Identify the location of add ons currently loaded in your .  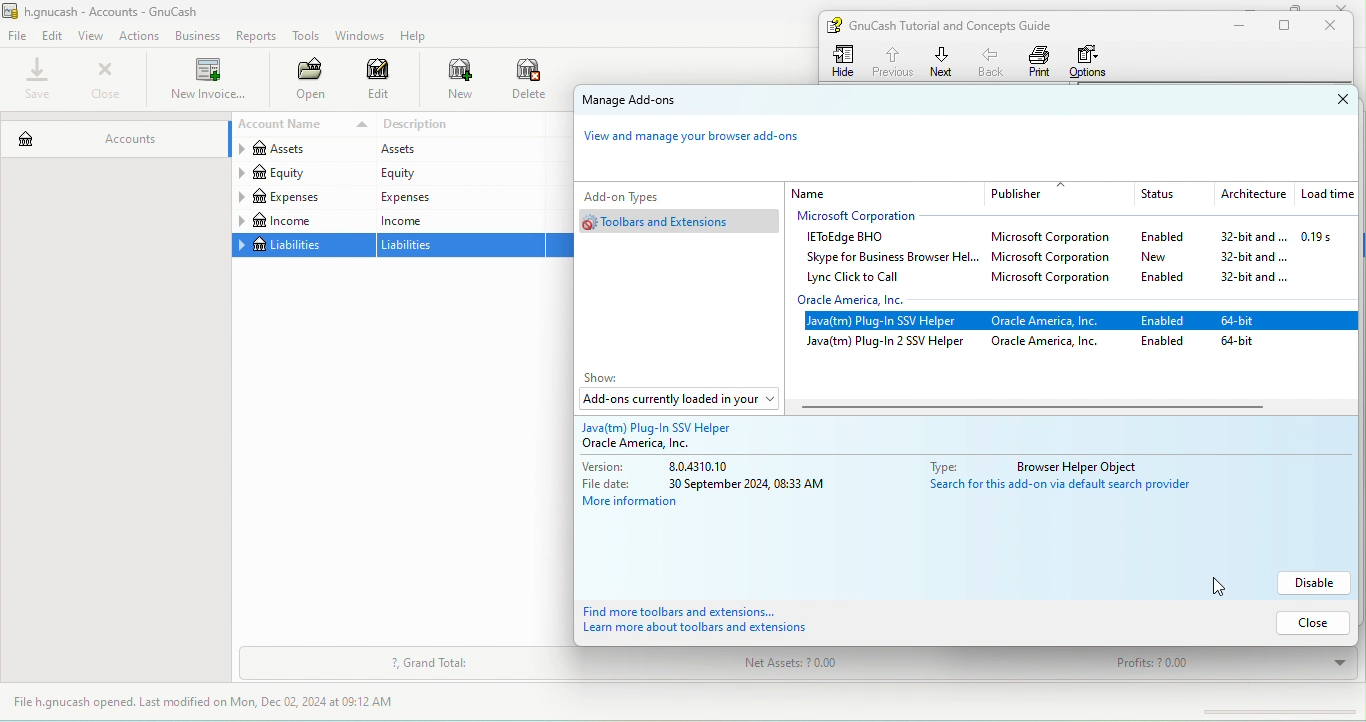
(677, 401).